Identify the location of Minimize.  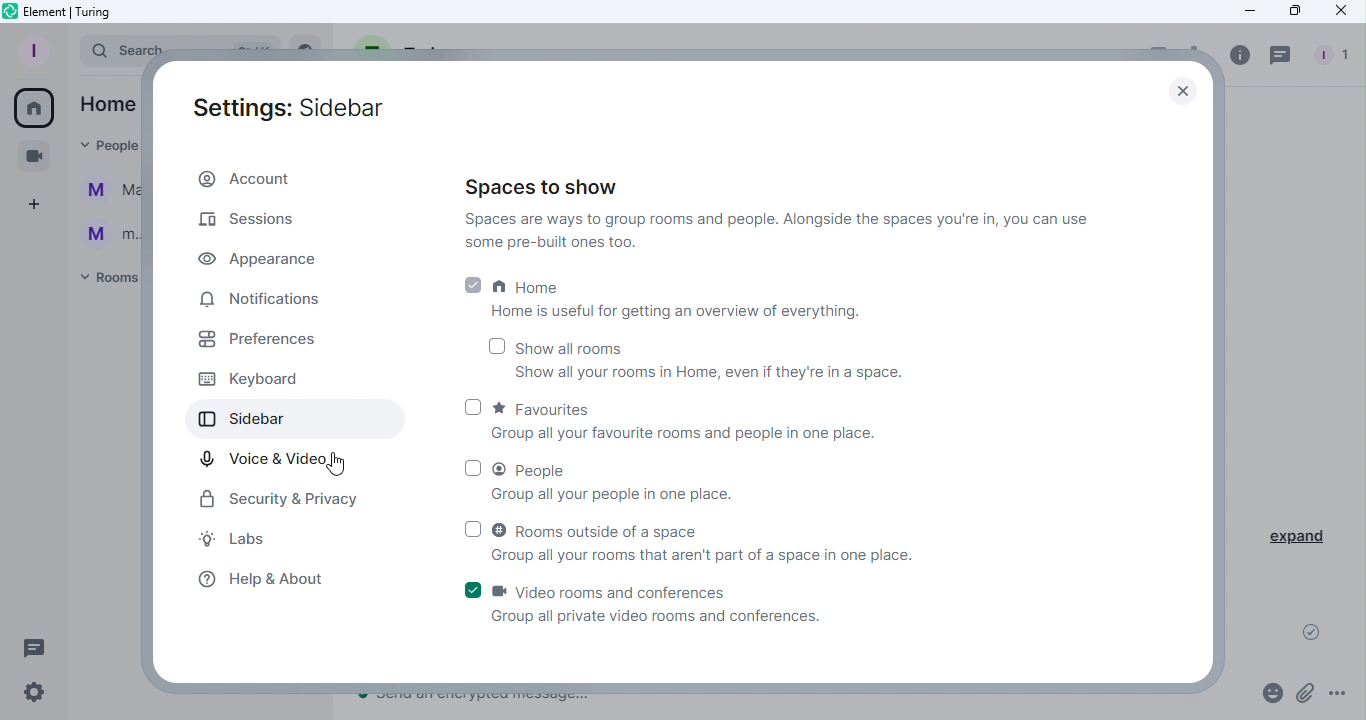
(1249, 12).